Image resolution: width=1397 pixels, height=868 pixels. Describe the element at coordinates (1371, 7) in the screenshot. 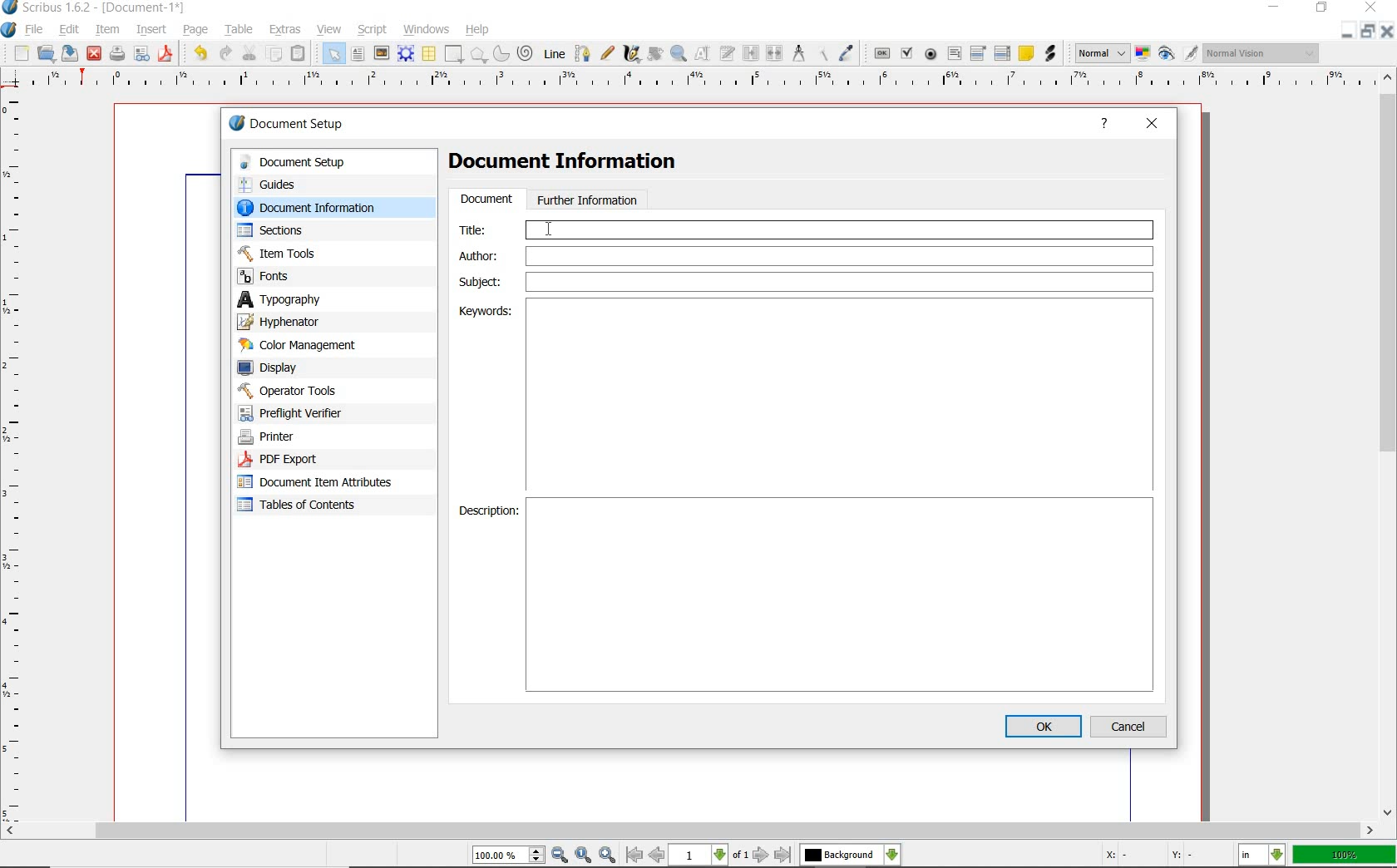

I see `close` at that location.